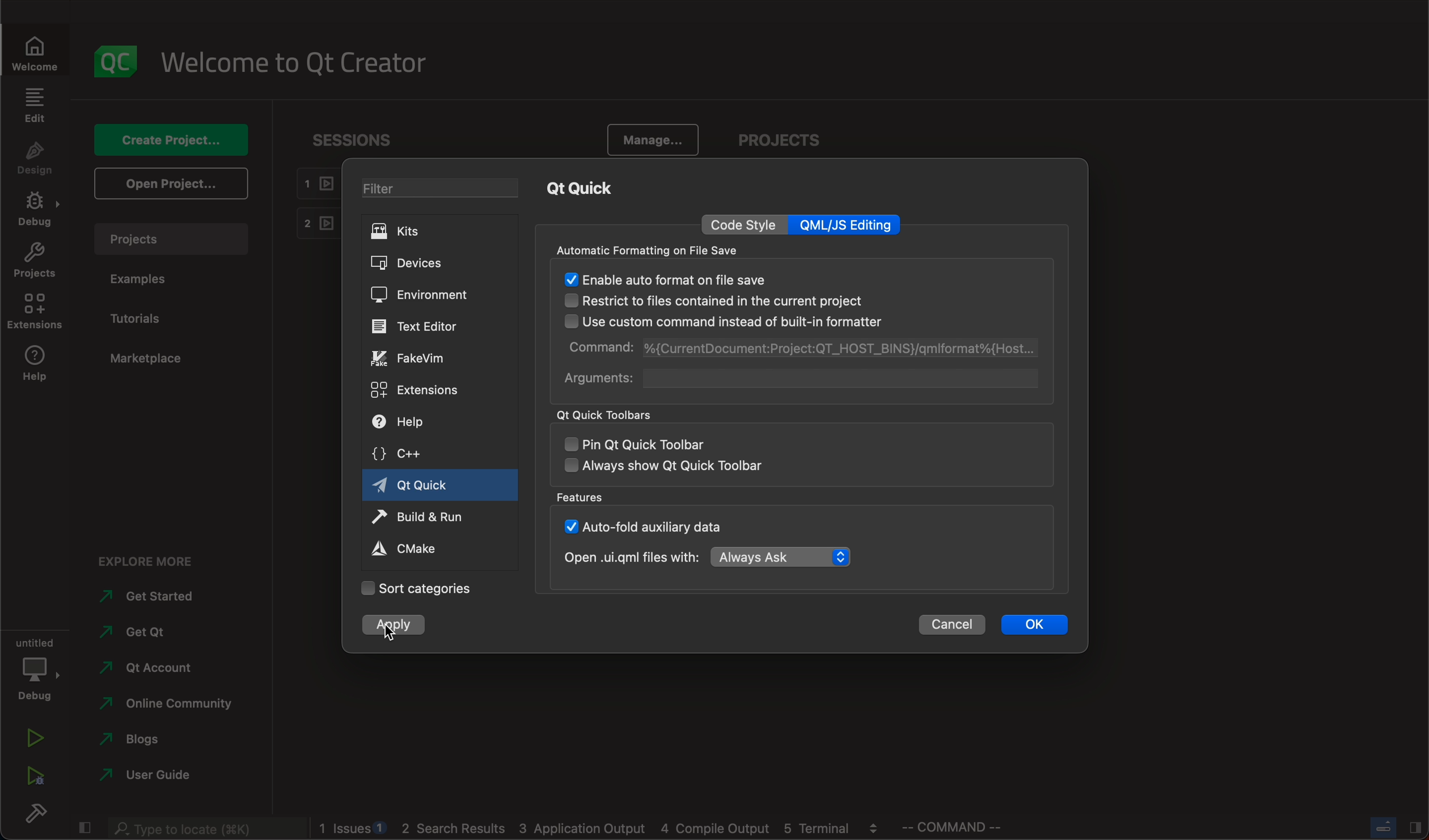  What do you see at coordinates (357, 139) in the screenshot?
I see `sessions` at bounding box center [357, 139].